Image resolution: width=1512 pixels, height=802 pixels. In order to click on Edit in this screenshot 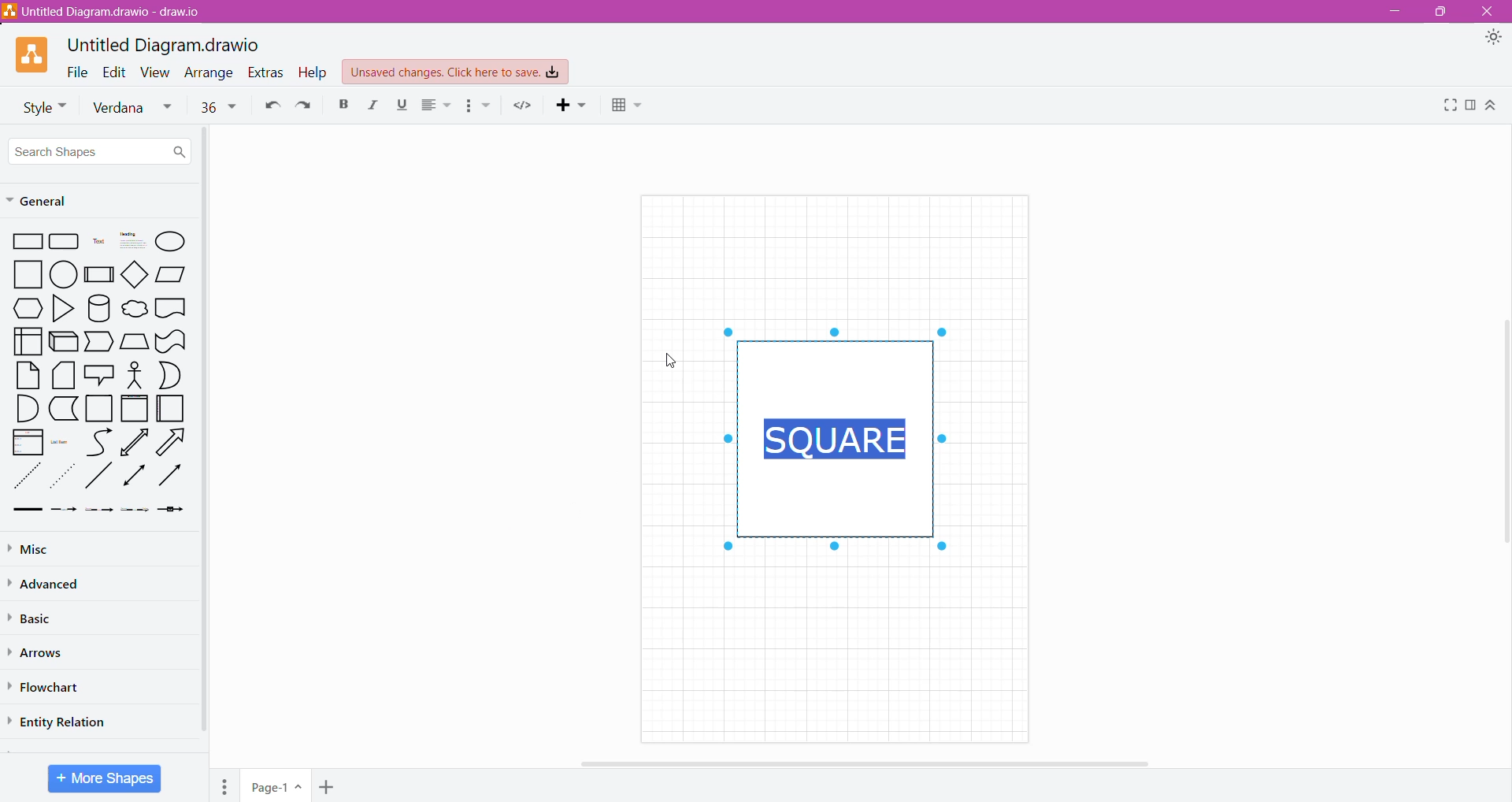, I will do `click(117, 72)`.